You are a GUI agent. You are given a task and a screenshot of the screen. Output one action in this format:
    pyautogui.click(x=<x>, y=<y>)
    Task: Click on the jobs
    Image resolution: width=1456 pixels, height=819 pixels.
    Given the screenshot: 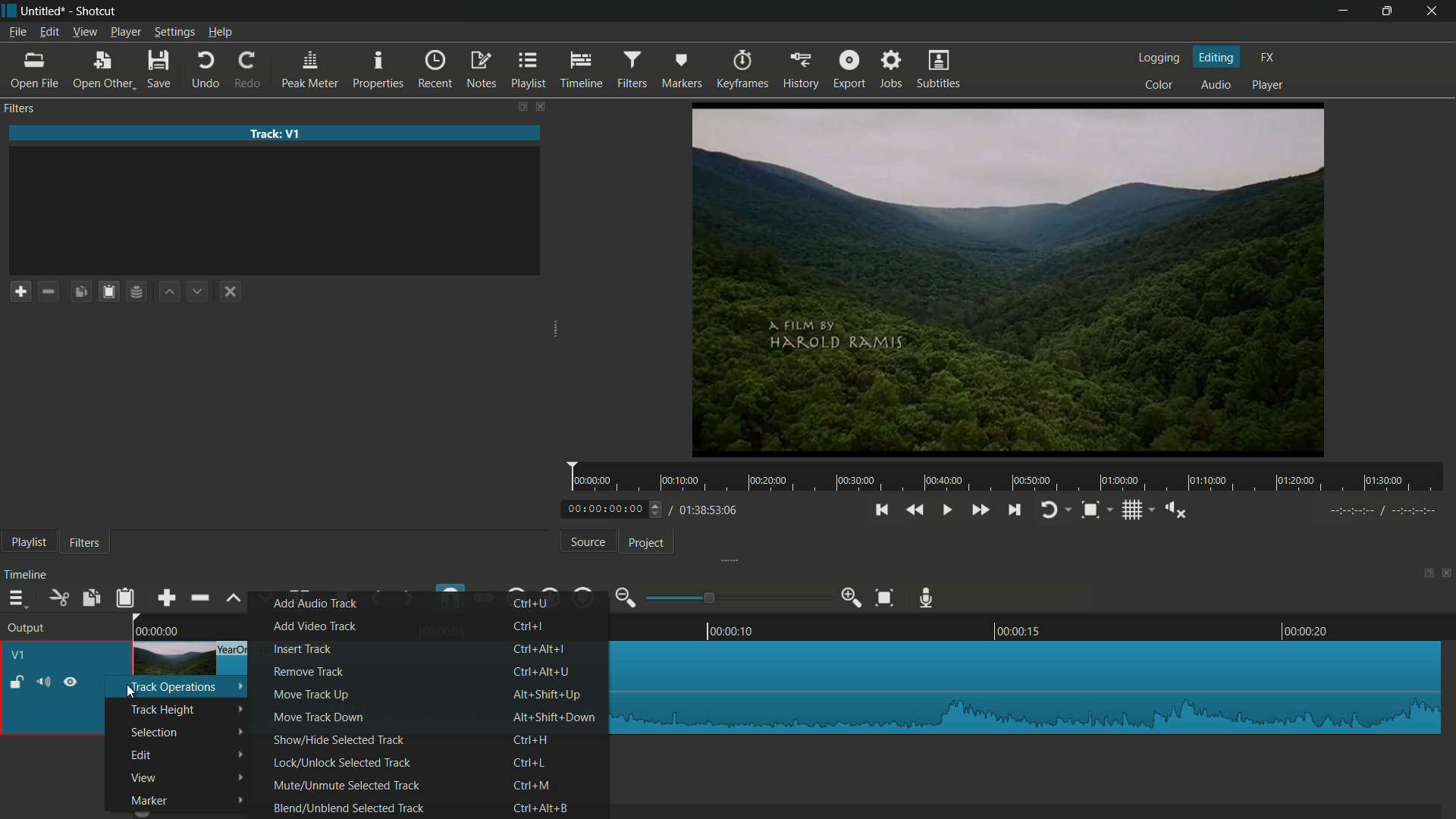 What is the action you would take?
    pyautogui.click(x=893, y=71)
    